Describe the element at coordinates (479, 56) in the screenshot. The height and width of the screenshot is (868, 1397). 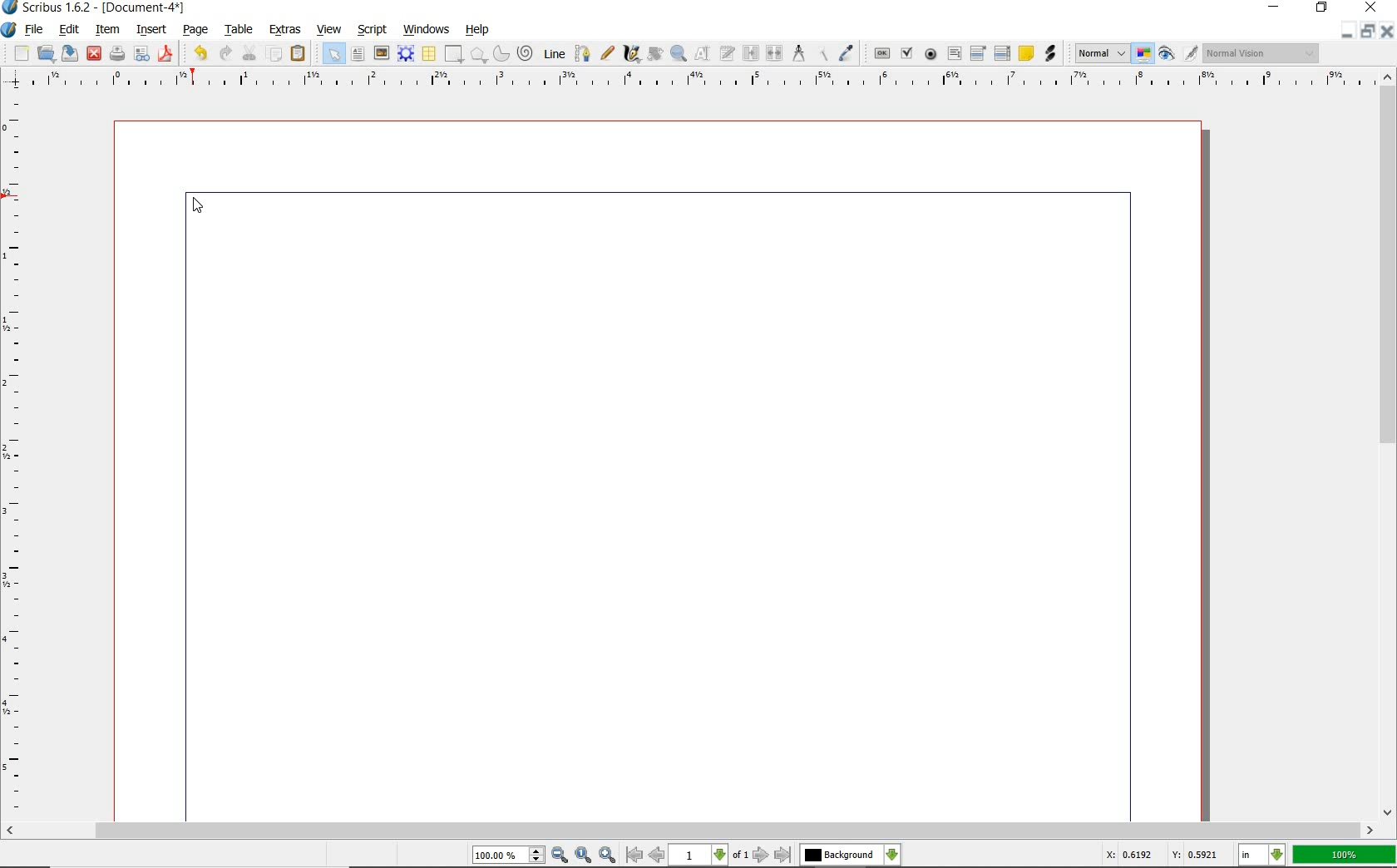
I see `polygon` at that location.